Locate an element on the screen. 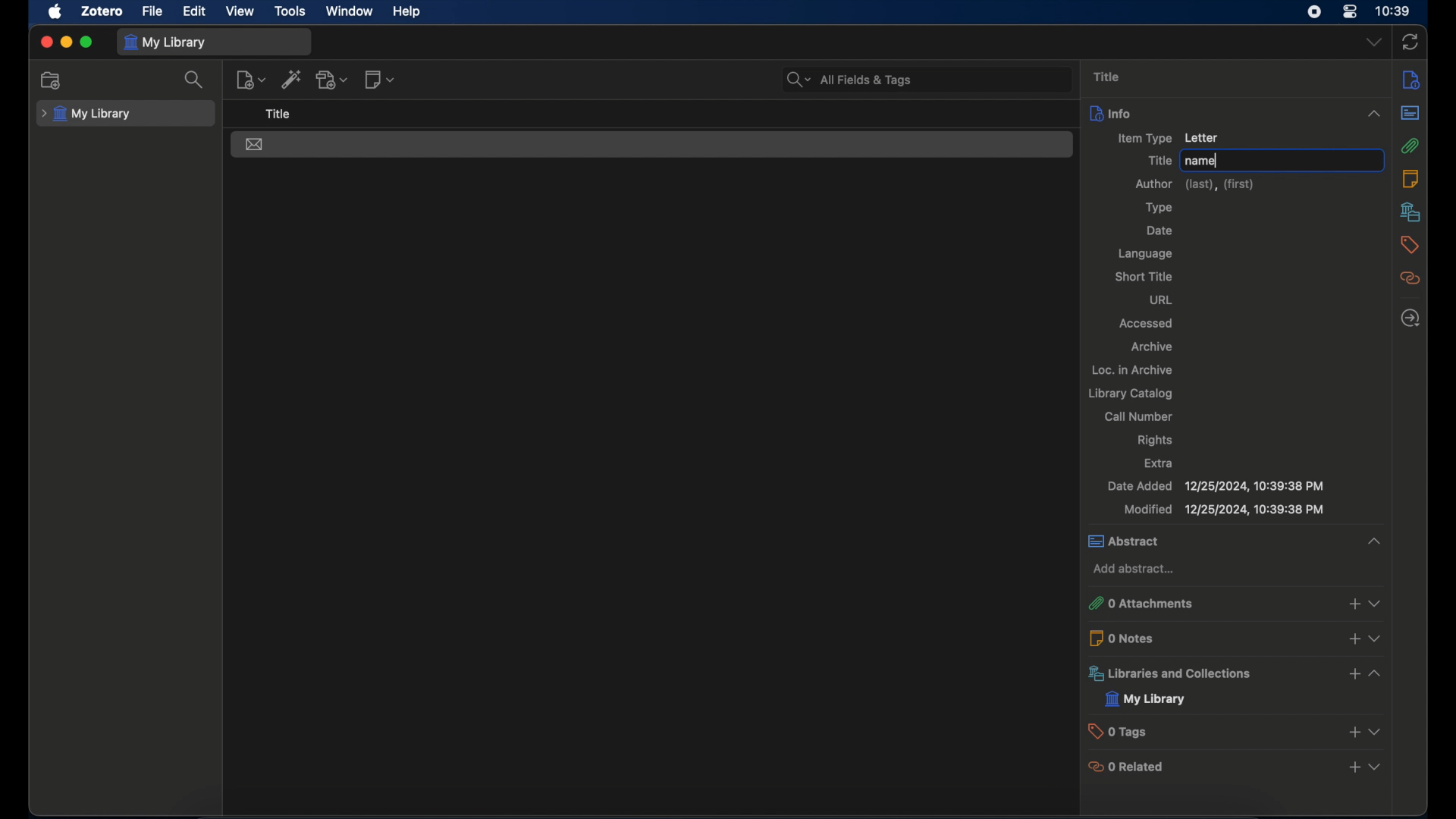 This screenshot has width=1456, height=819. collapse is located at coordinates (1373, 539).